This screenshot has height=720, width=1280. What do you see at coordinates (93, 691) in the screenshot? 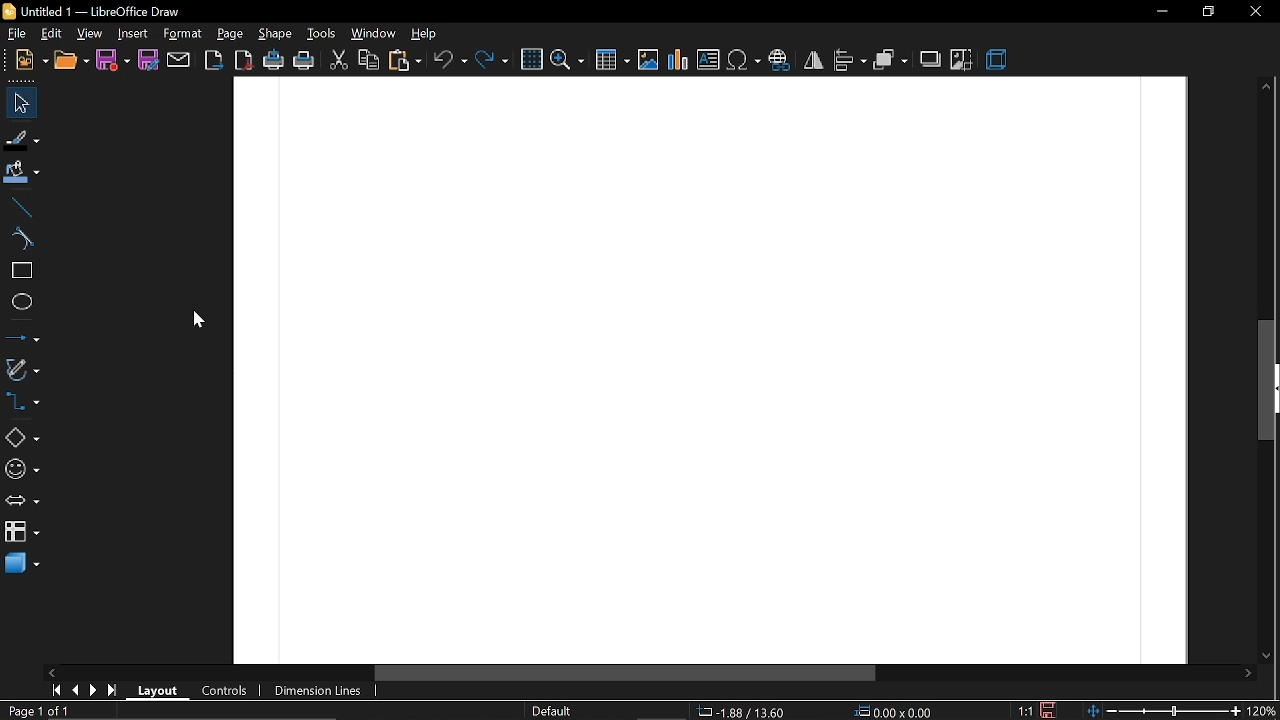
I see `next page` at bounding box center [93, 691].